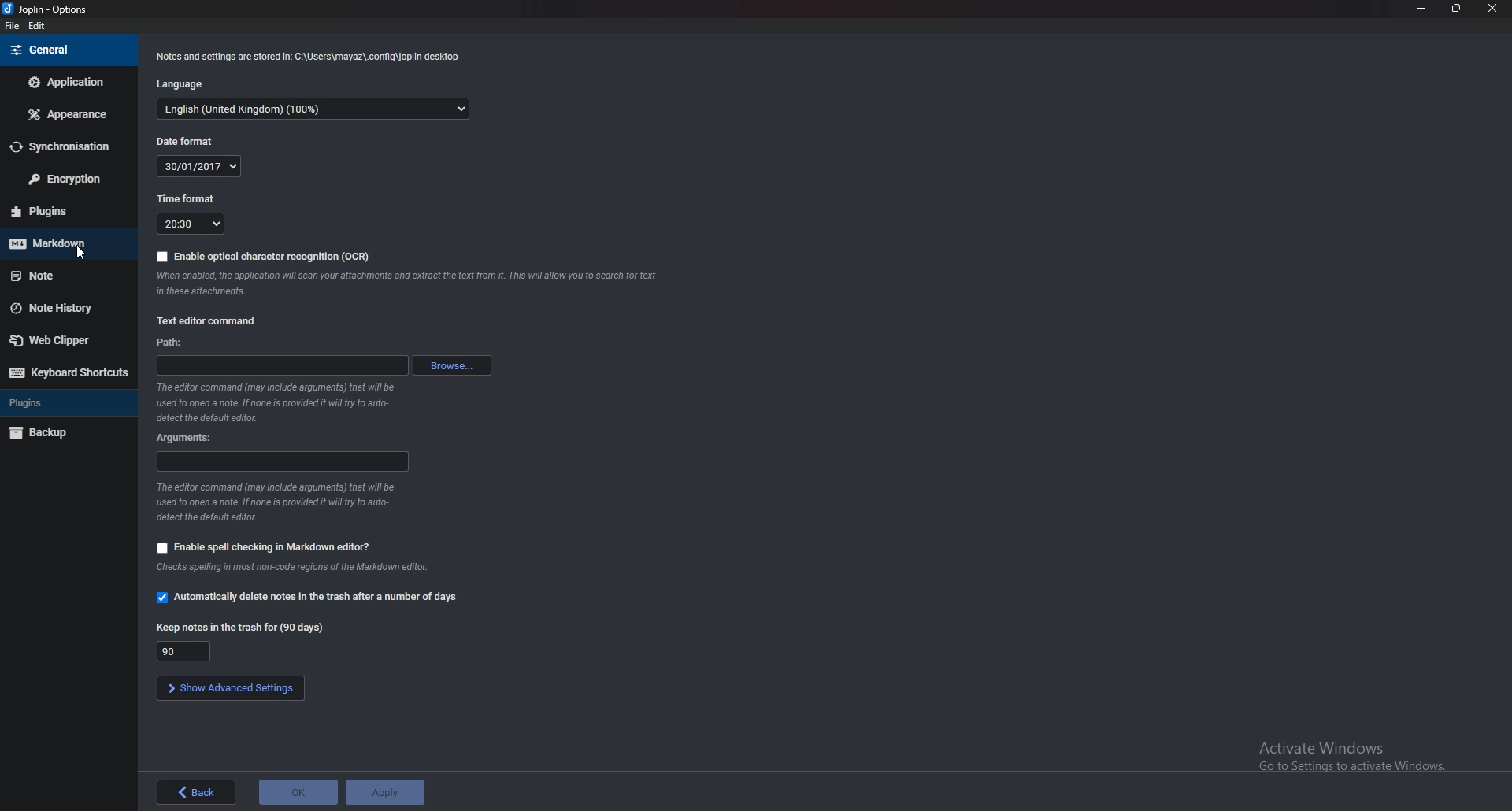 Image resolution: width=1512 pixels, height=811 pixels. Describe the element at coordinates (206, 320) in the screenshot. I see `Text editor command` at that location.